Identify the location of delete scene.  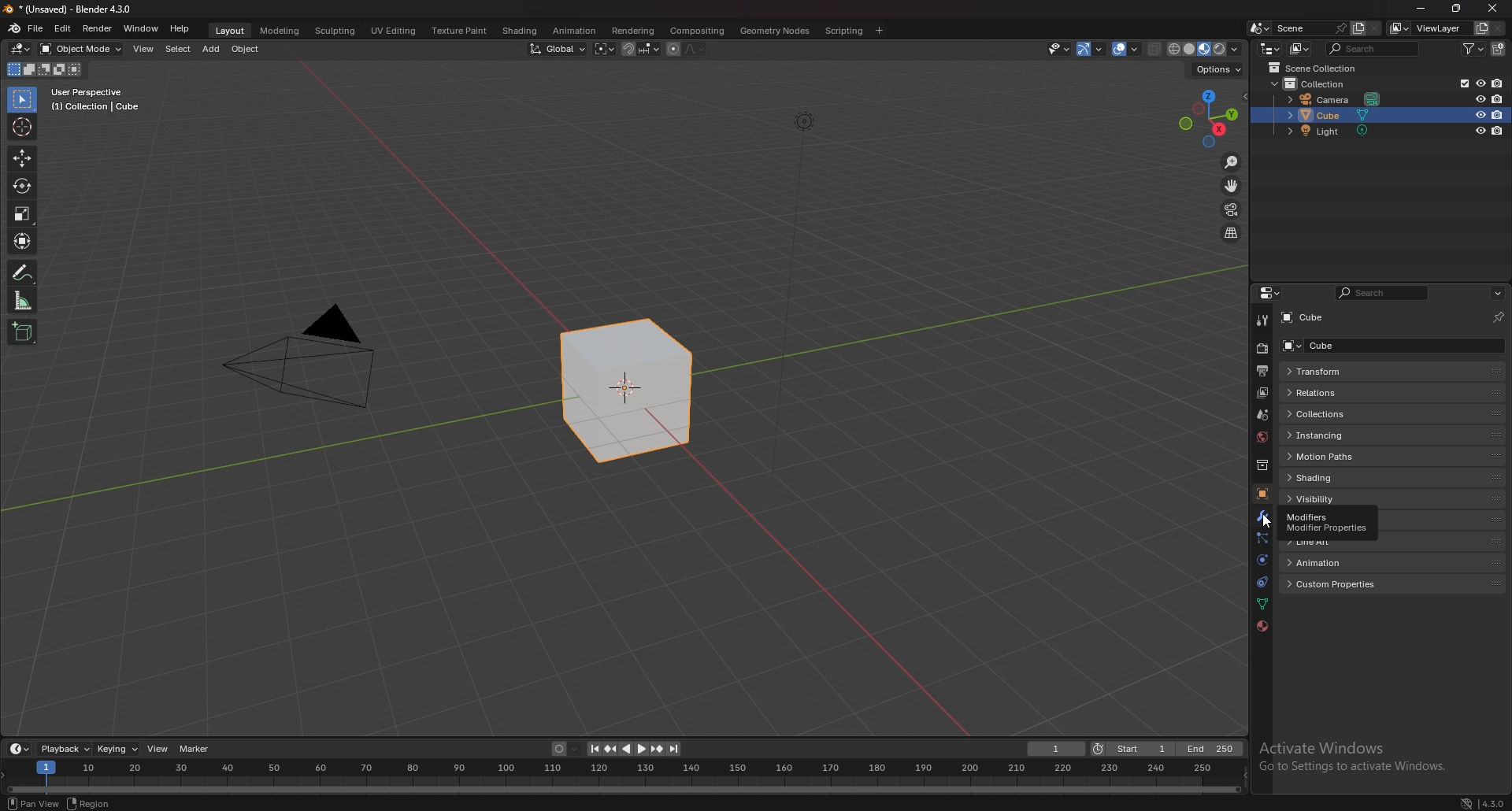
(1374, 28).